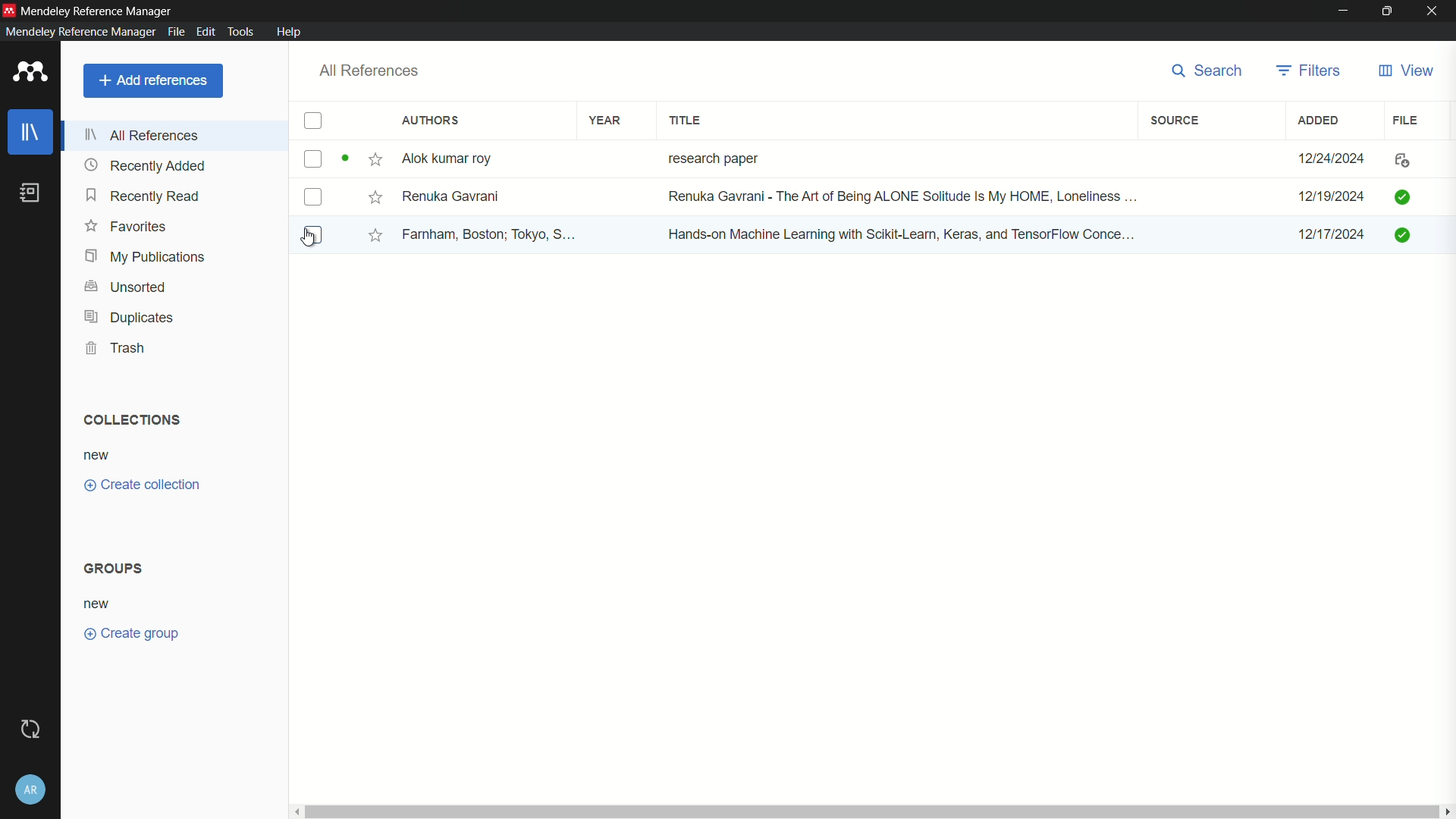 This screenshot has height=819, width=1456. What do you see at coordinates (1330, 155) in the screenshot?
I see `12/24/2024` at bounding box center [1330, 155].